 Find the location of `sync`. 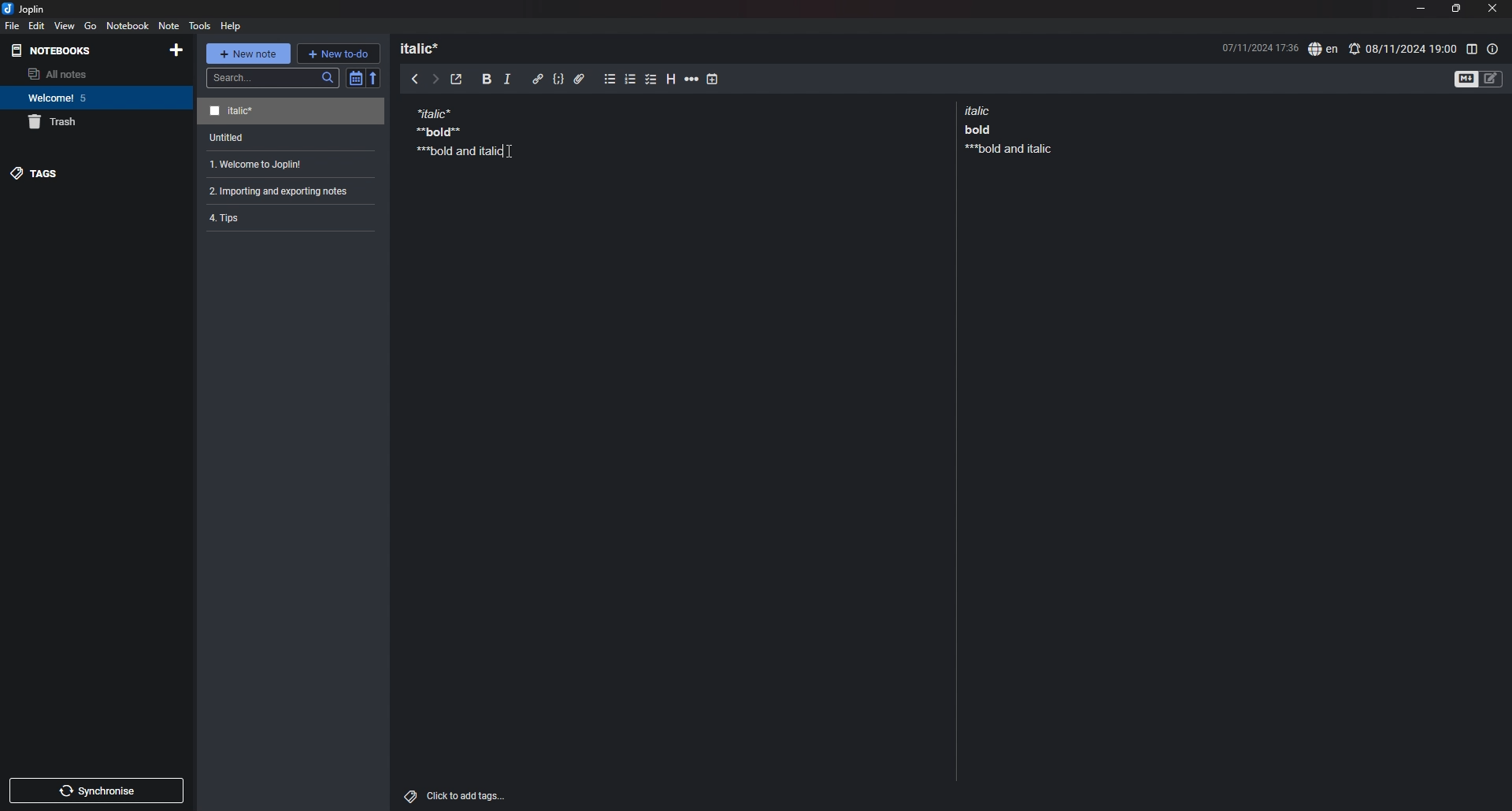

sync is located at coordinates (98, 791).